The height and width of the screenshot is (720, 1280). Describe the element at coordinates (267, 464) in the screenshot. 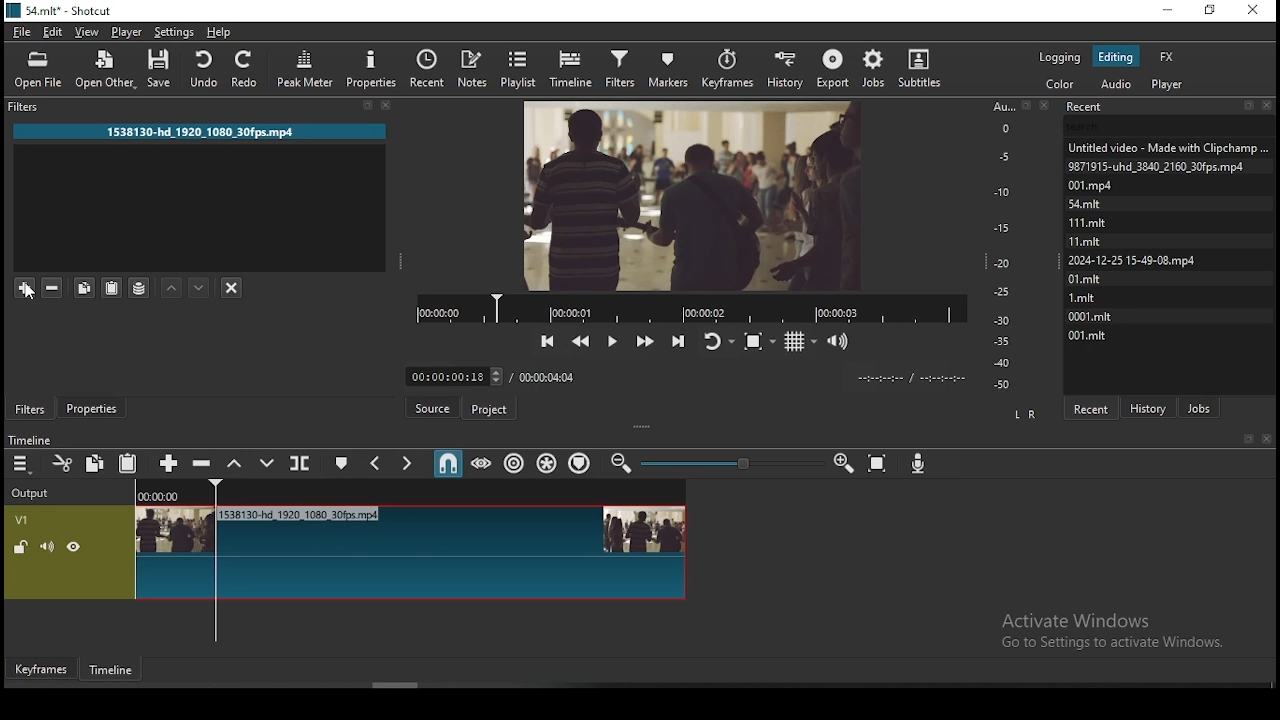

I see `overwrite` at that location.